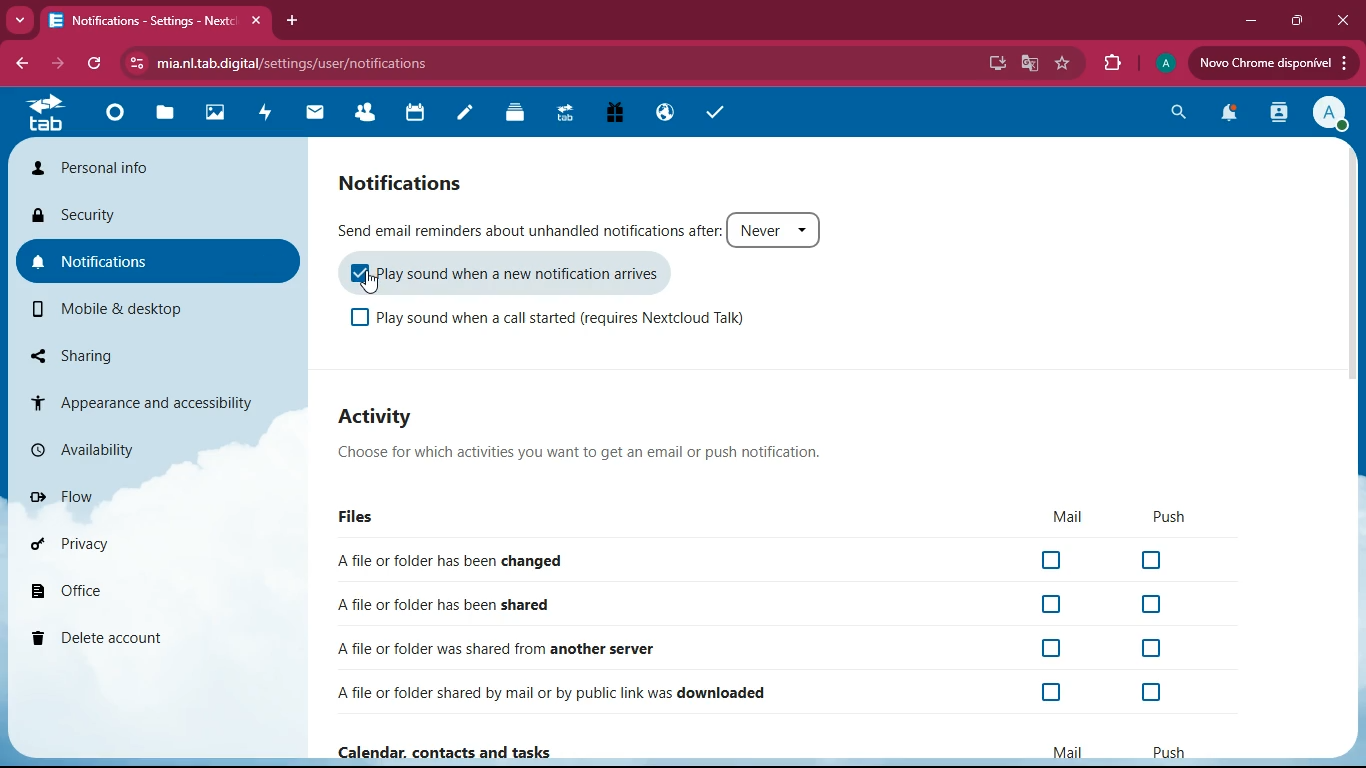 The width and height of the screenshot is (1366, 768). Describe the element at coordinates (1053, 692) in the screenshot. I see `off` at that location.